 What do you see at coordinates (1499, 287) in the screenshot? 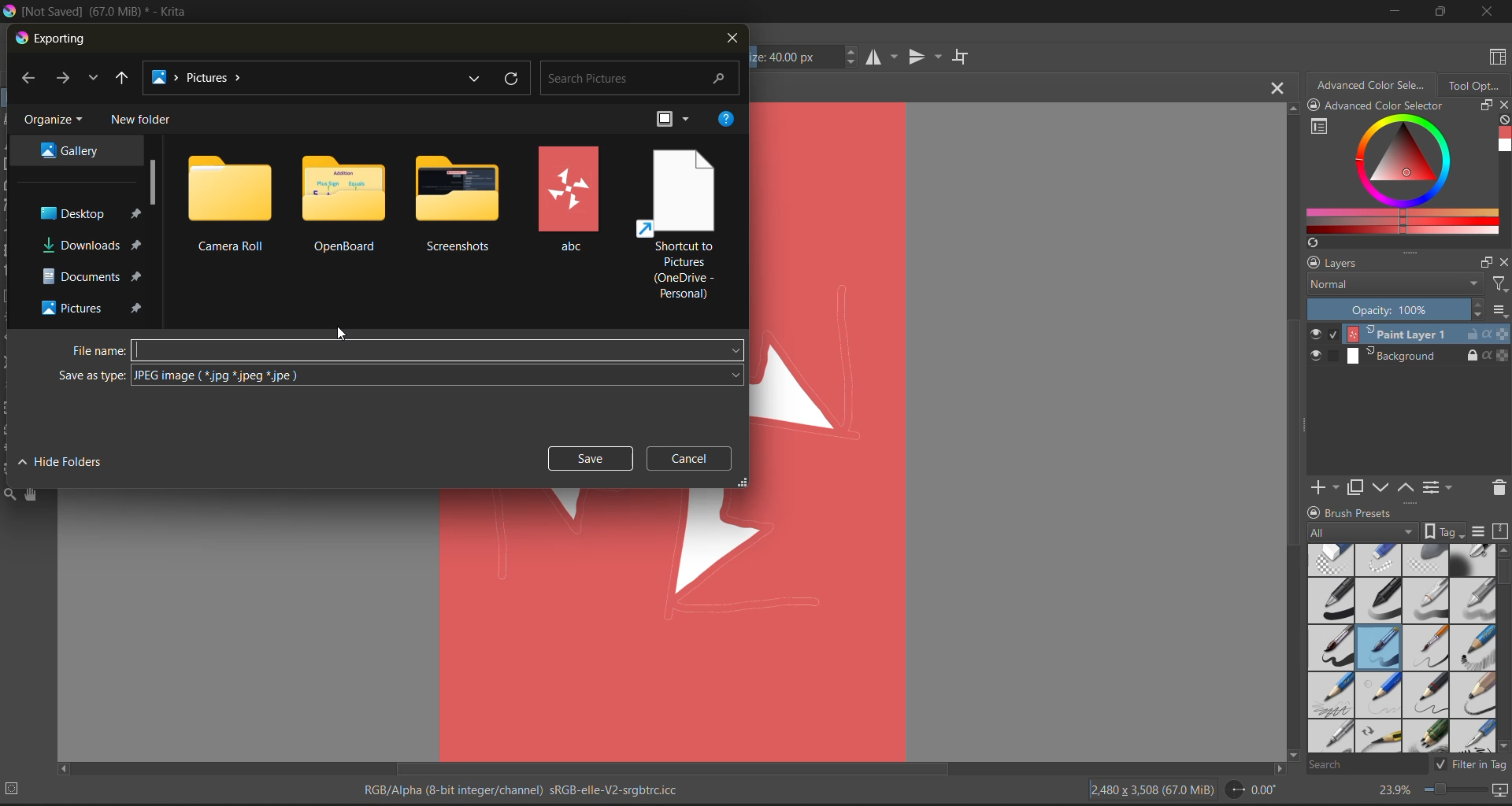
I see `filters` at bounding box center [1499, 287].